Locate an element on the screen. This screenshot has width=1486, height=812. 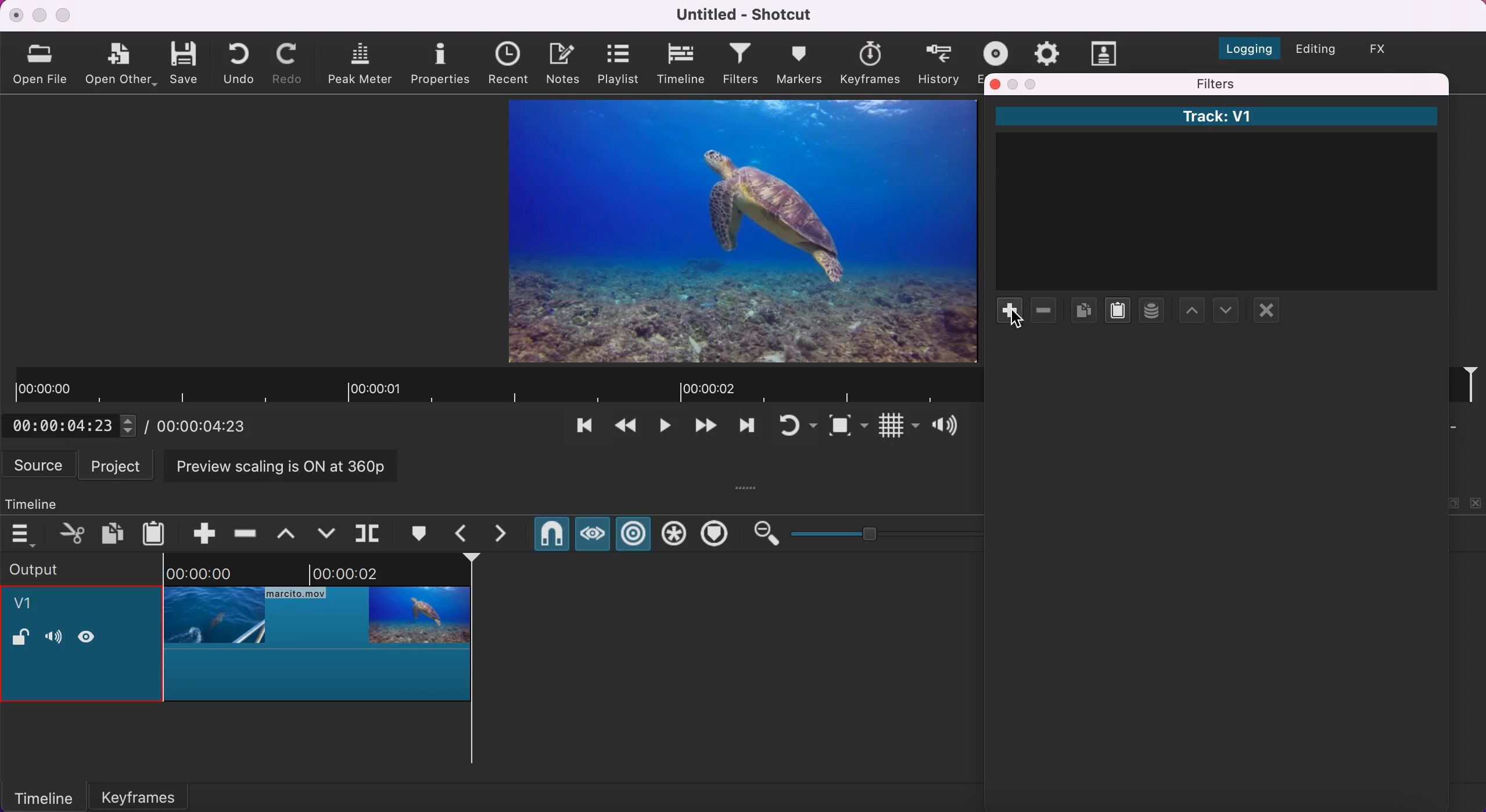
toggle zoom is located at coordinates (848, 428).